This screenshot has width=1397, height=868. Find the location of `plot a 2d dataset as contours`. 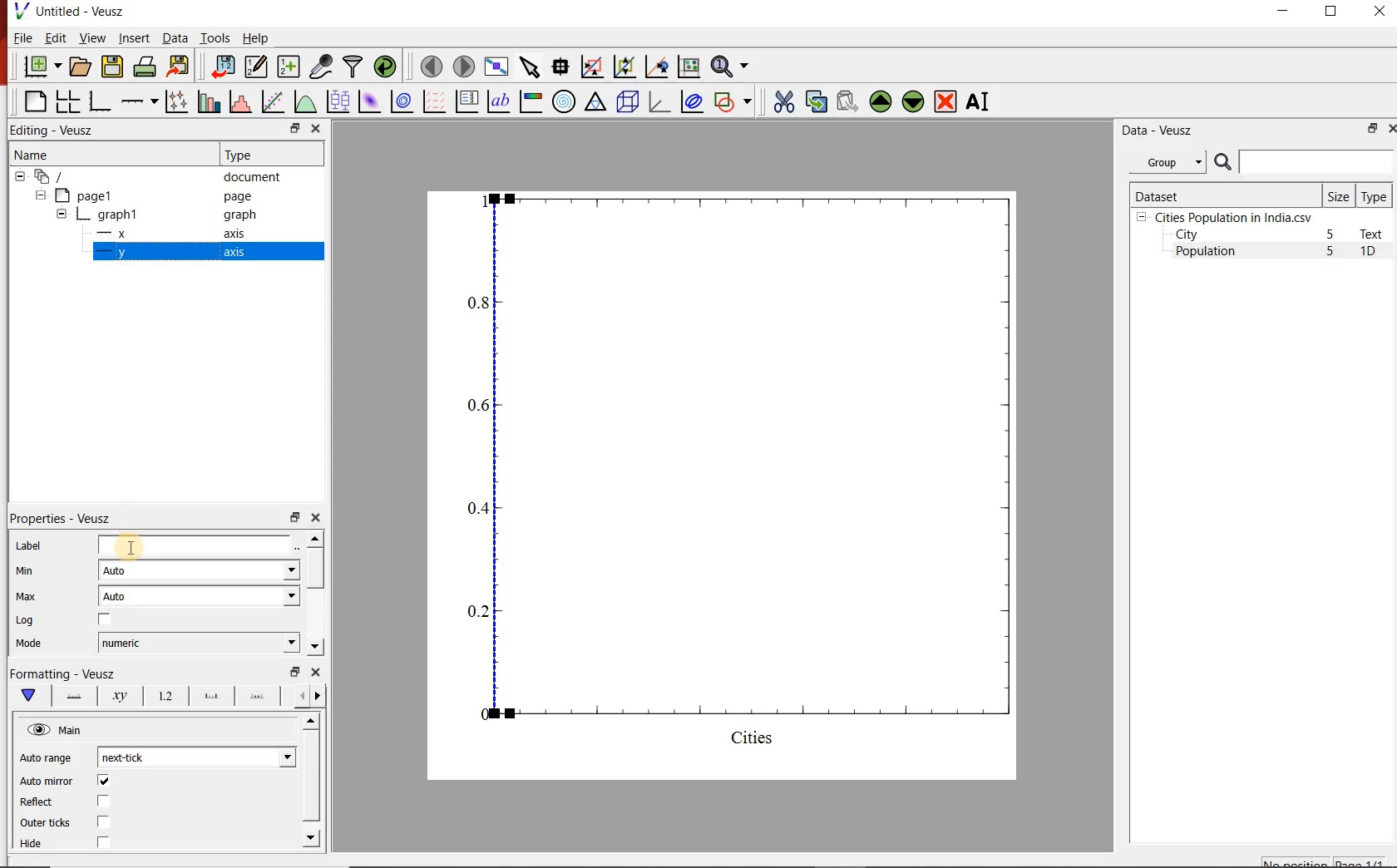

plot a 2d dataset as contours is located at coordinates (400, 101).